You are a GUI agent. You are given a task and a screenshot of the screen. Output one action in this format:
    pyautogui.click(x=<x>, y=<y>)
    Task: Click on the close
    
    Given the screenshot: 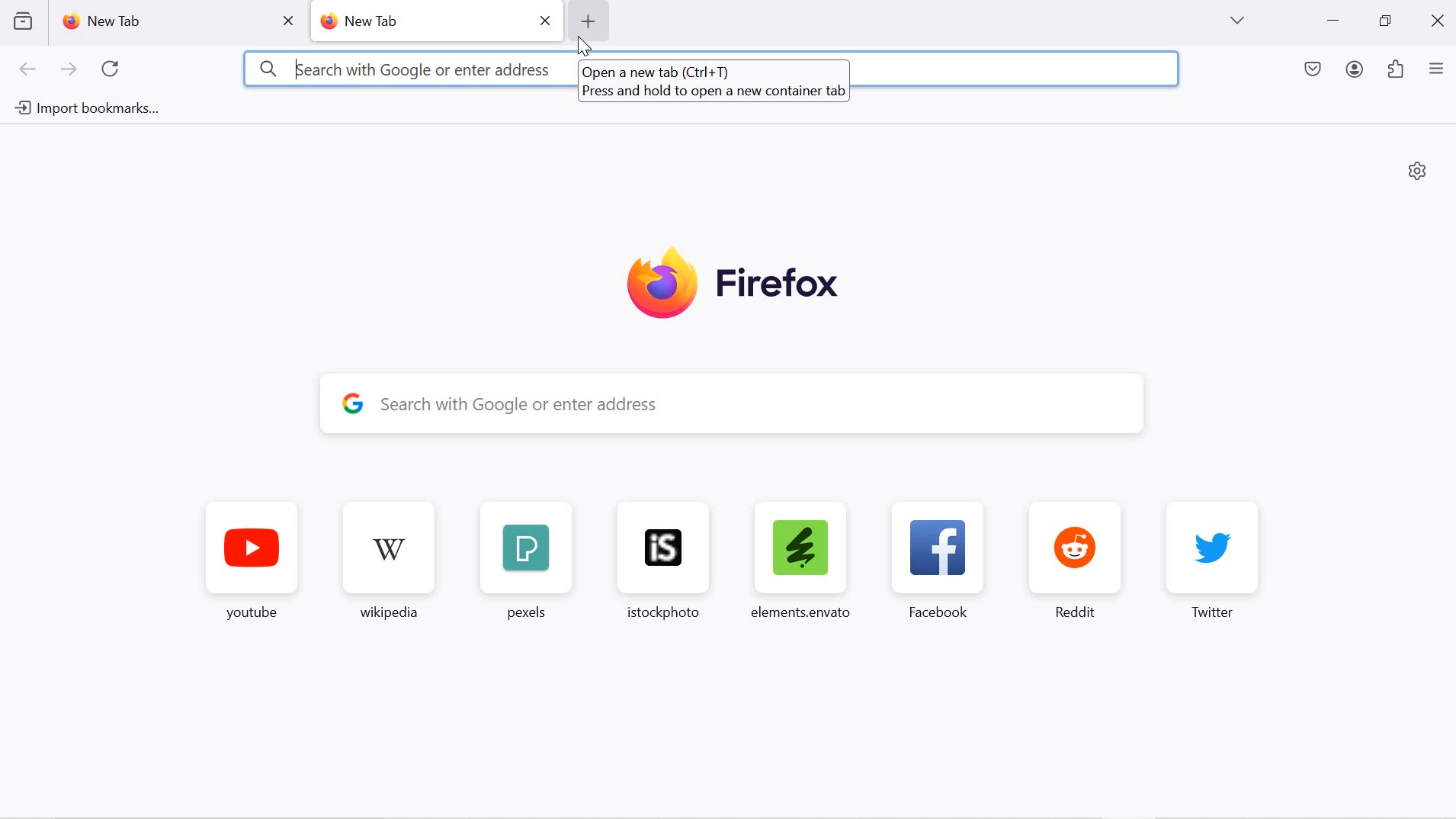 What is the action you would take?
    pyautogui.click(x=544, y=20)
    